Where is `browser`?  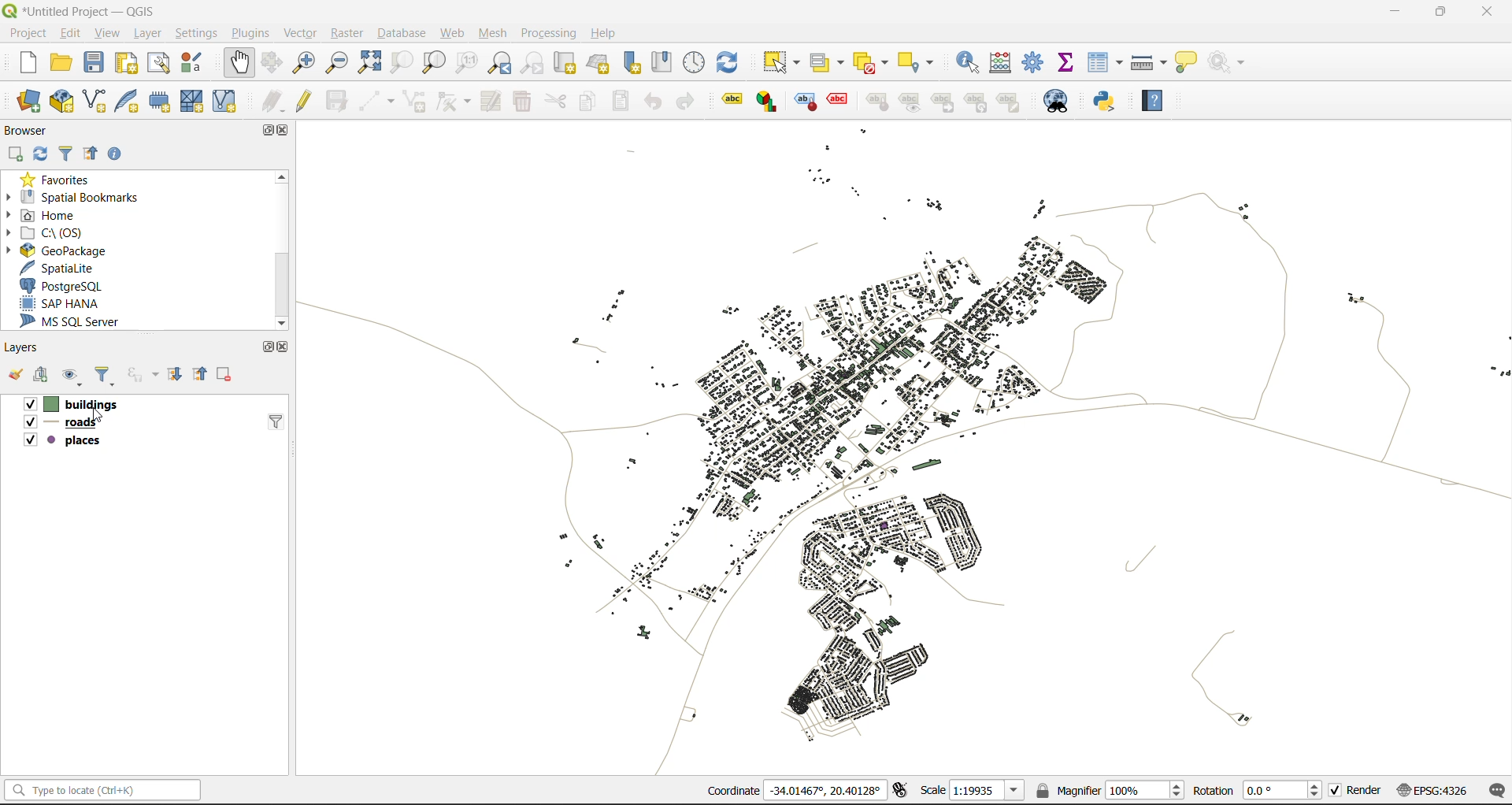 browser is located at coordinates (32, 130).